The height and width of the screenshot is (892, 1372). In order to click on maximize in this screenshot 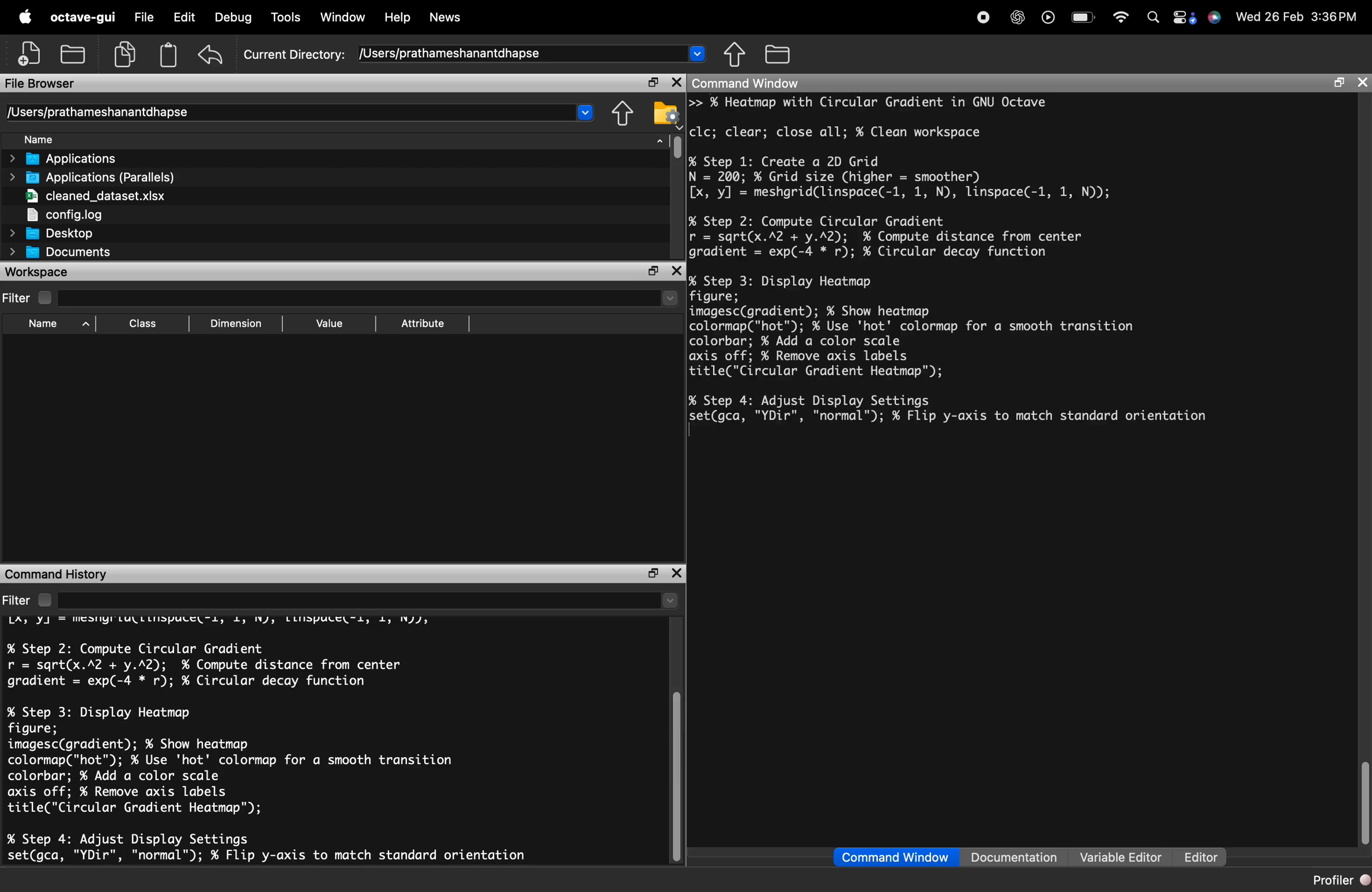, I will do `click(652, 573)`.